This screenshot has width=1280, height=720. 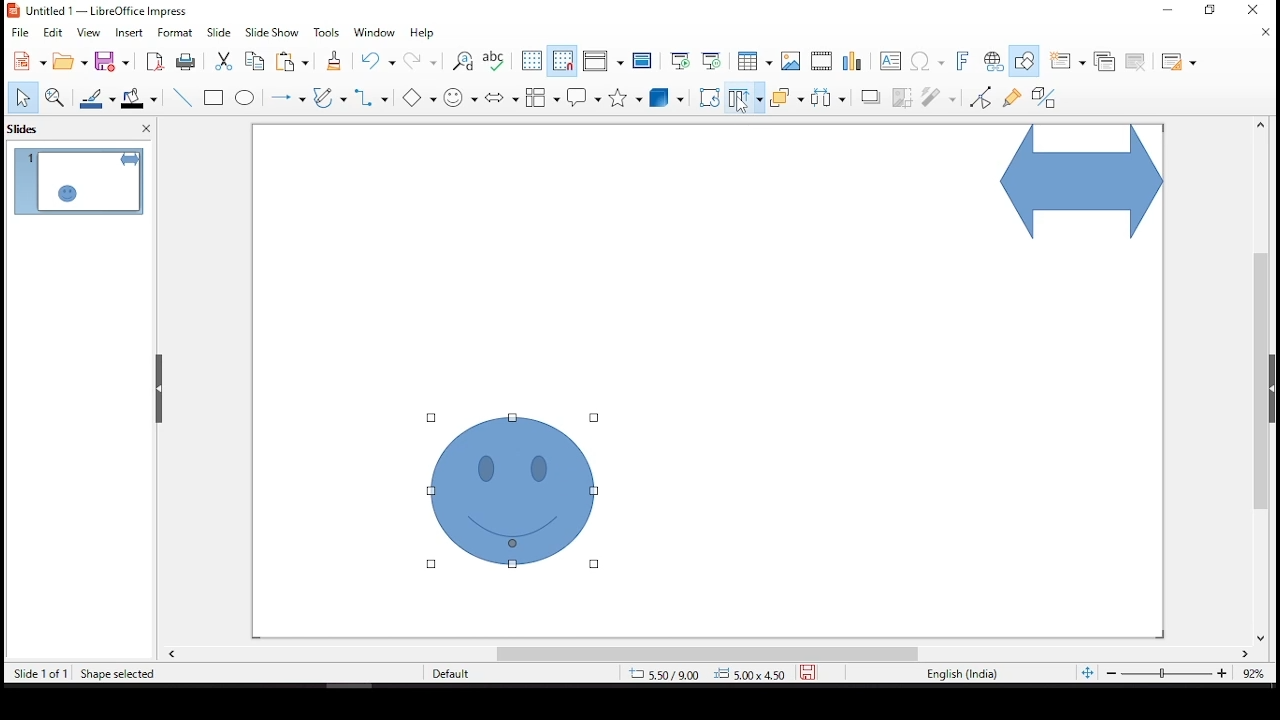 I want to click on ellipse, so click(x=245, y=98).